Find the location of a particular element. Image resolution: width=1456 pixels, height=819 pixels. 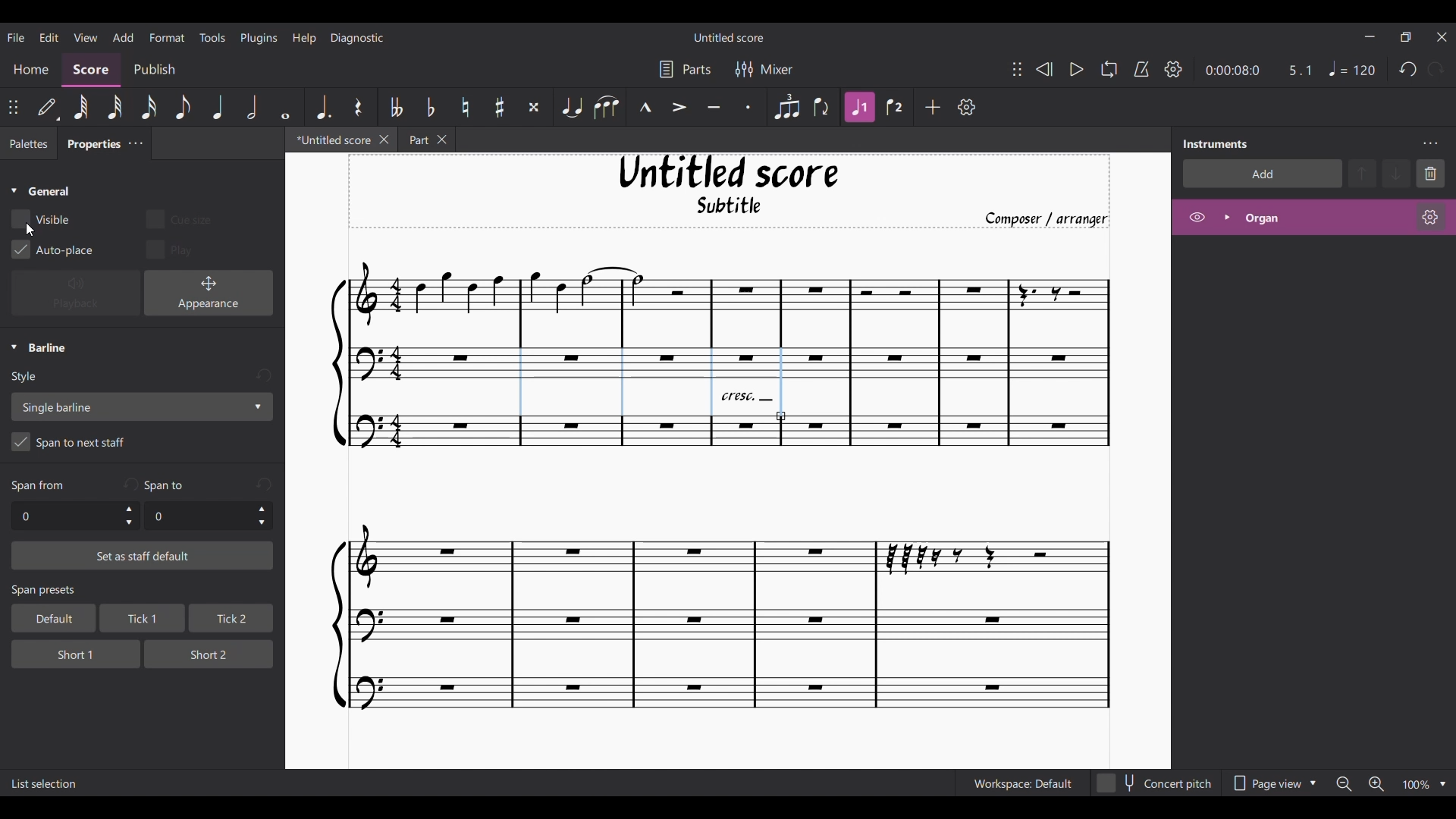

Type in Span to is located at coordinates (197, 516).